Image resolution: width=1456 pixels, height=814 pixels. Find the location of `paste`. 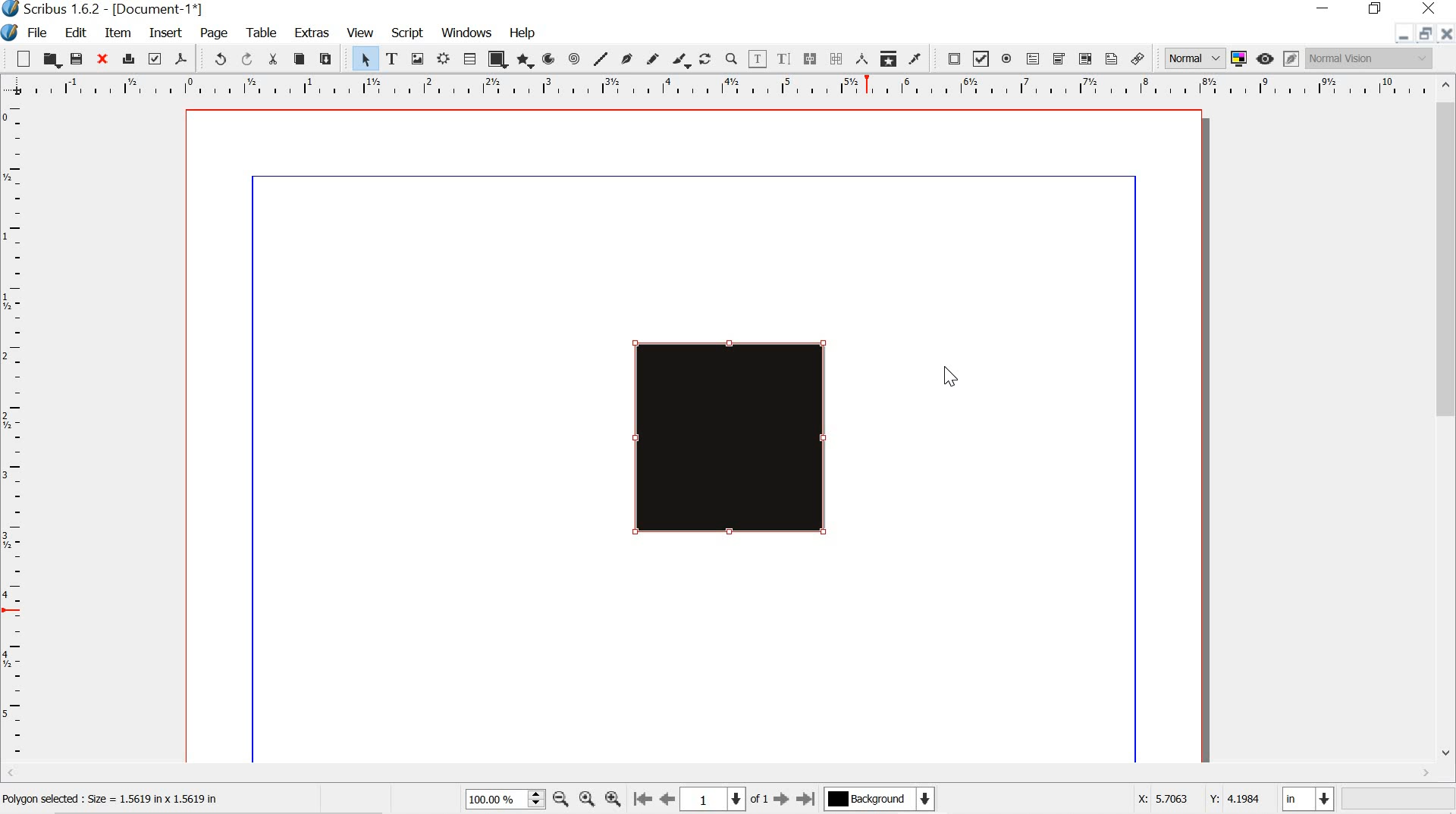

paste is located at coordinates (331, 59).